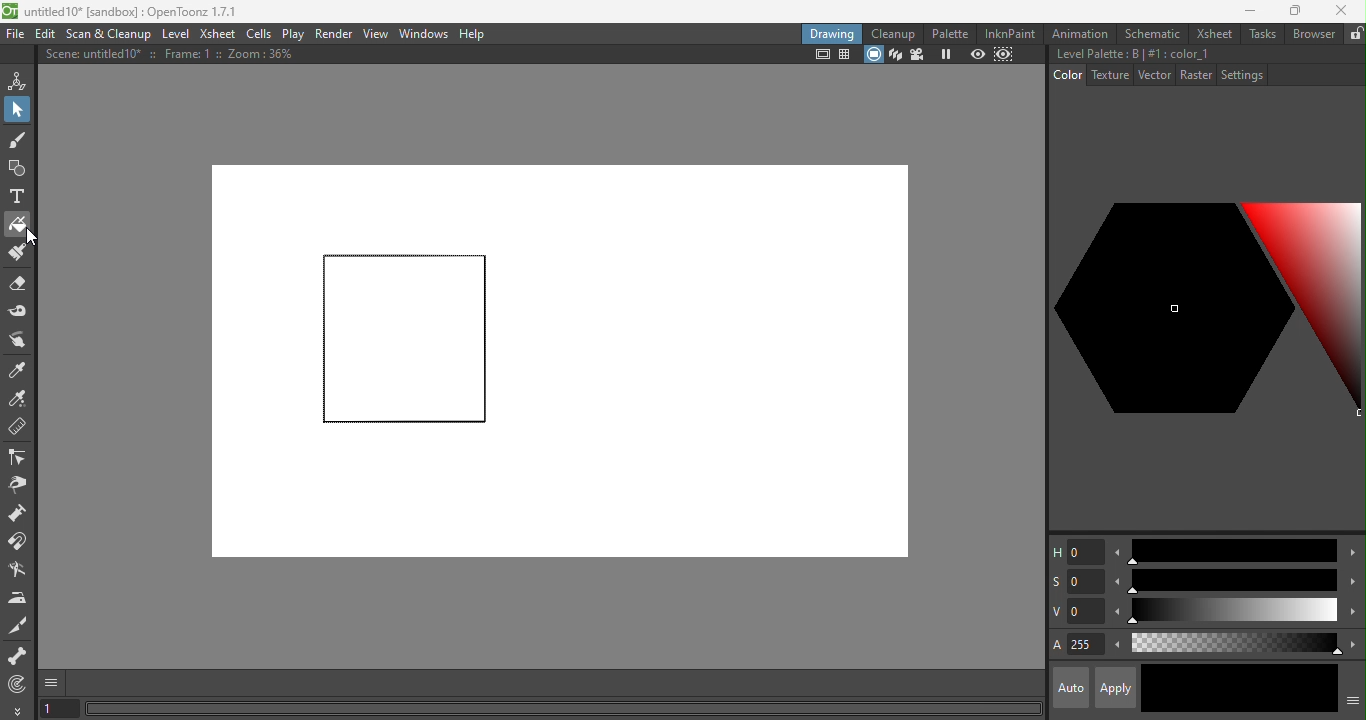 Image resolution: width=1366 pixels, height=720 pixels. What do you see at coordinates (178, 34) in the screenshot?
I see `Level` at bounding box center [178, 34].